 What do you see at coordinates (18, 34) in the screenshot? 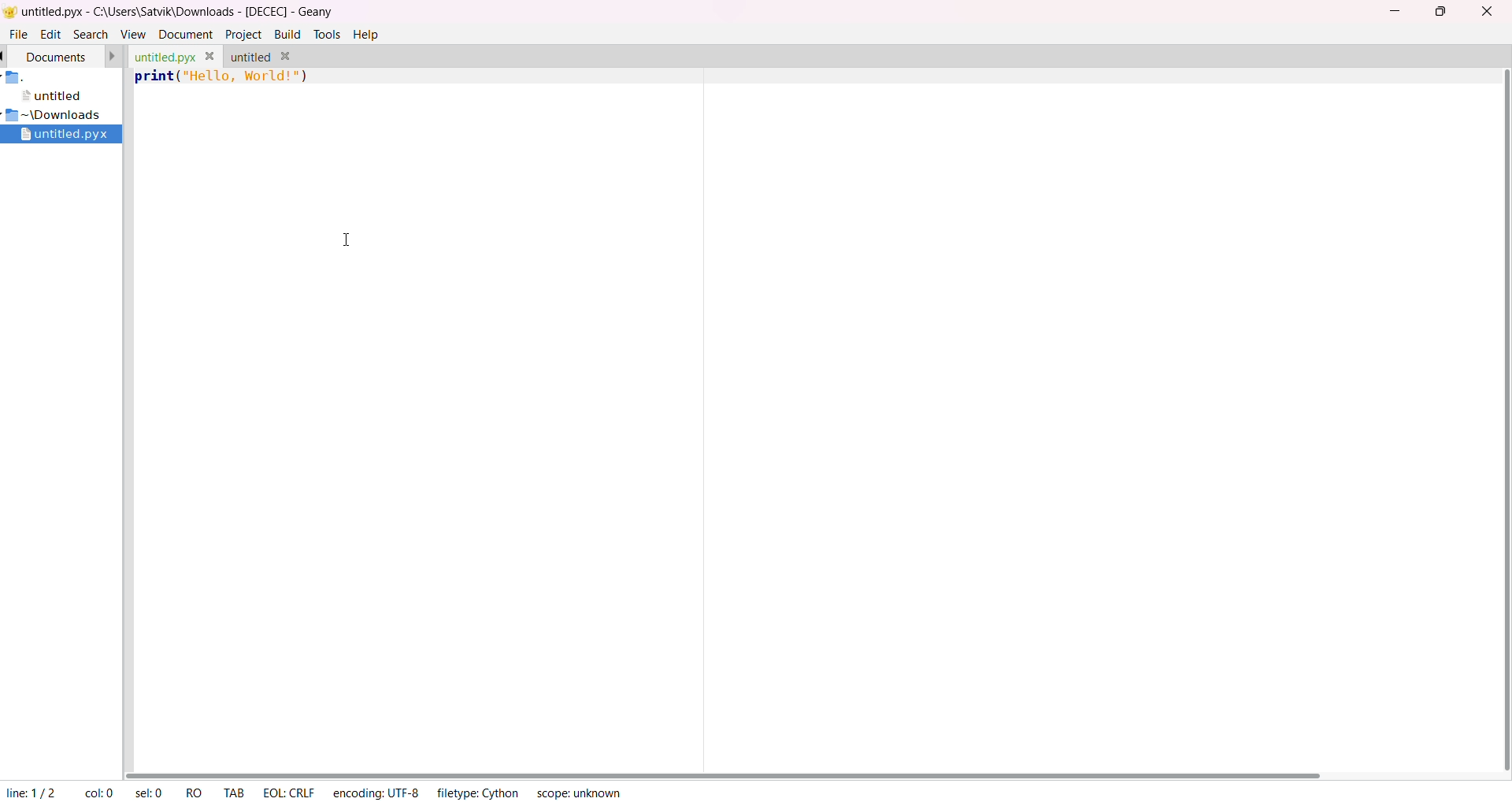
I see `file` at bounding box center [18, 34].